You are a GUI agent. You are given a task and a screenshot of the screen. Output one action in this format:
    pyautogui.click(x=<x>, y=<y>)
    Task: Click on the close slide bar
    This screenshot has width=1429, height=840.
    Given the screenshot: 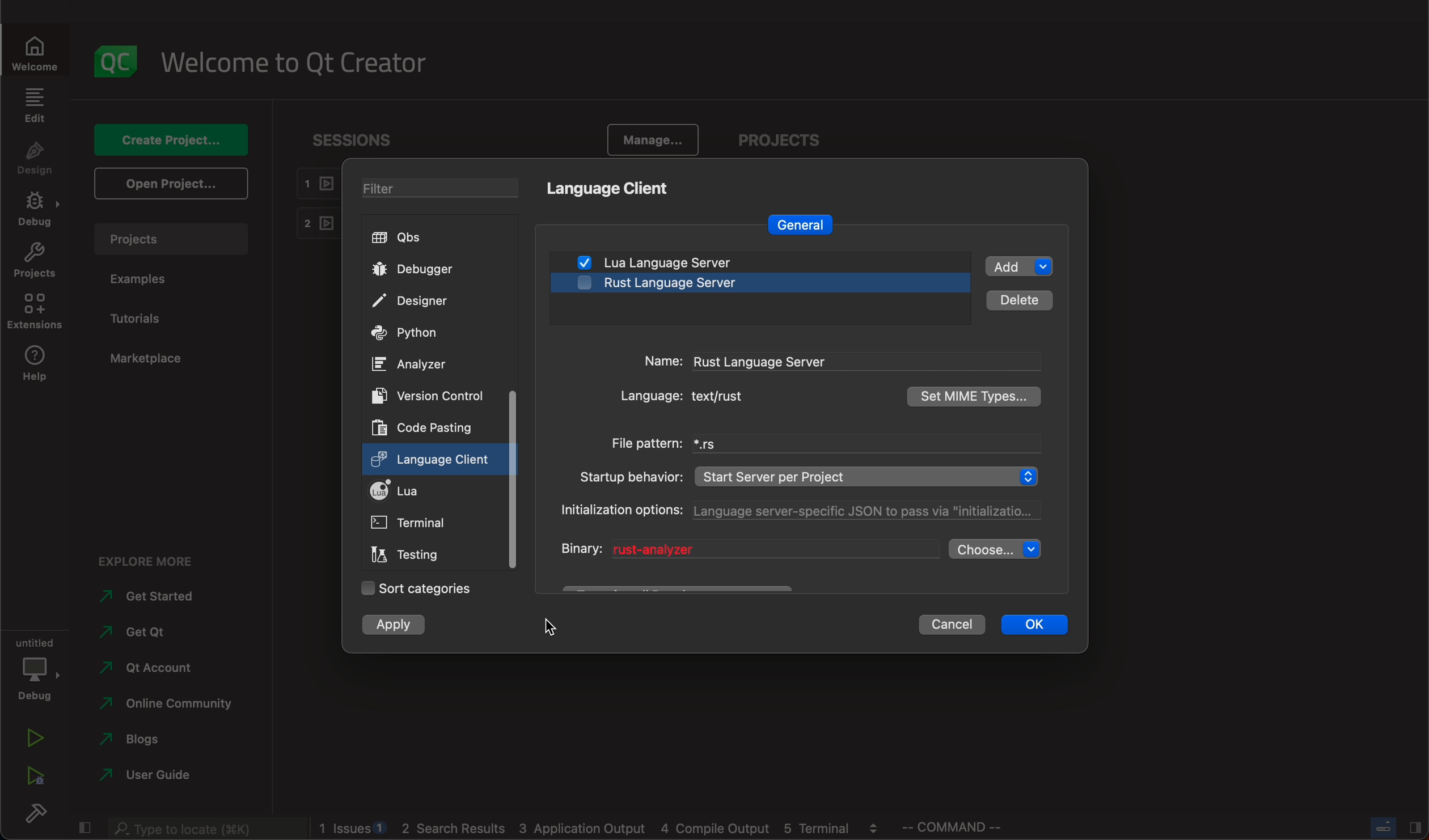 What is the action you would take?
    pyautogui.click(x=83, y=829)
    